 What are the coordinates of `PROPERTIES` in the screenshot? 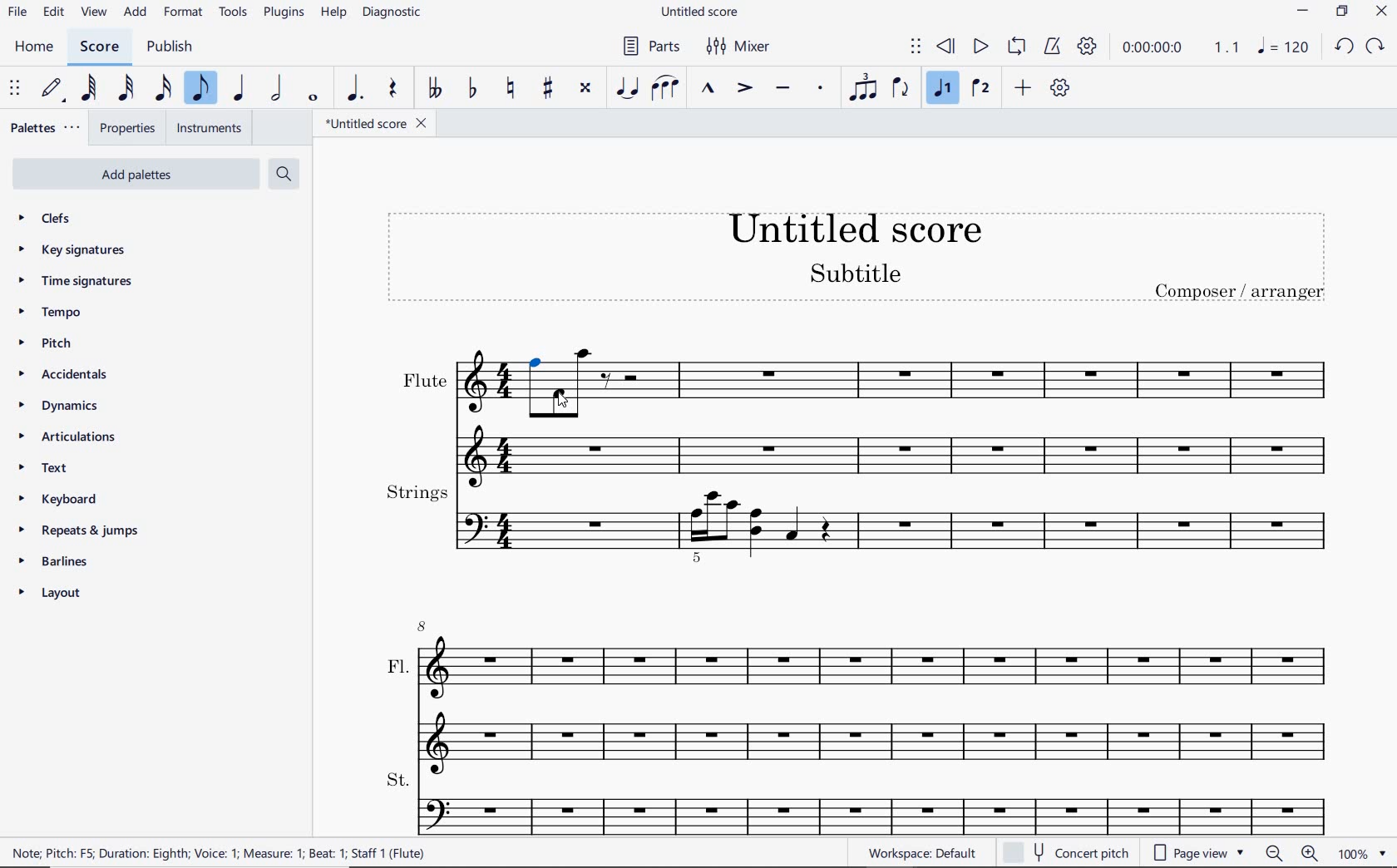 It's located at (131, 126).